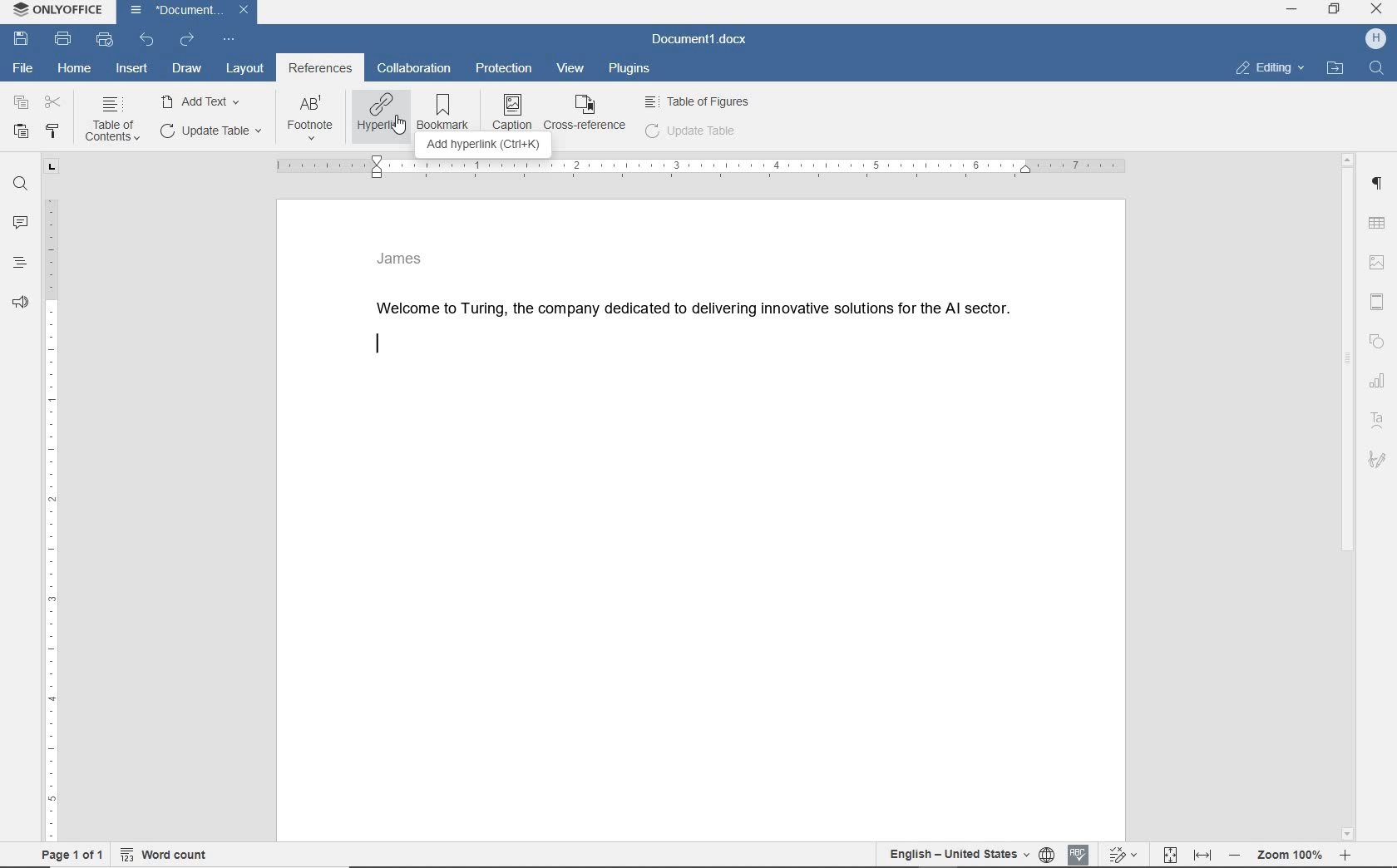 This screenshot has width=1397, height=868. I want to click on Restore down, so click(1338, 13).